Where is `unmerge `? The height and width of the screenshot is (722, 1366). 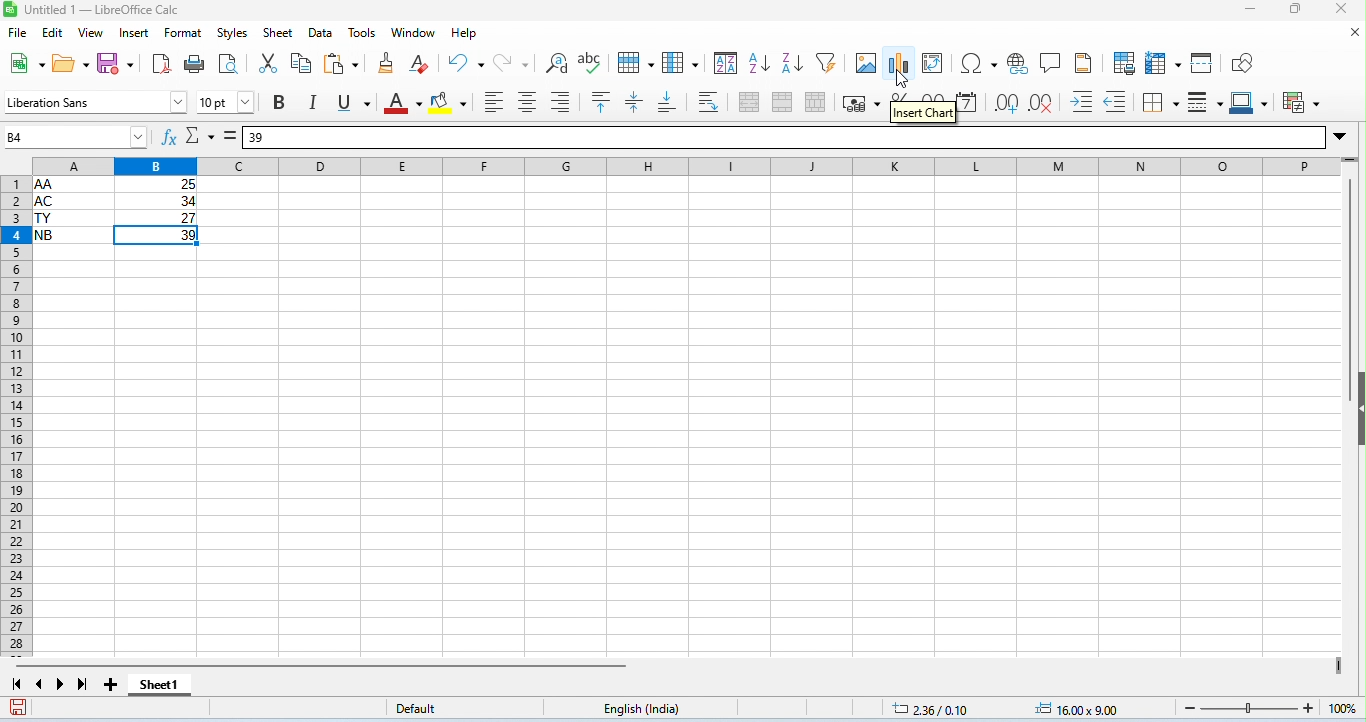
unmerge  is located at coordinates (816, 103).